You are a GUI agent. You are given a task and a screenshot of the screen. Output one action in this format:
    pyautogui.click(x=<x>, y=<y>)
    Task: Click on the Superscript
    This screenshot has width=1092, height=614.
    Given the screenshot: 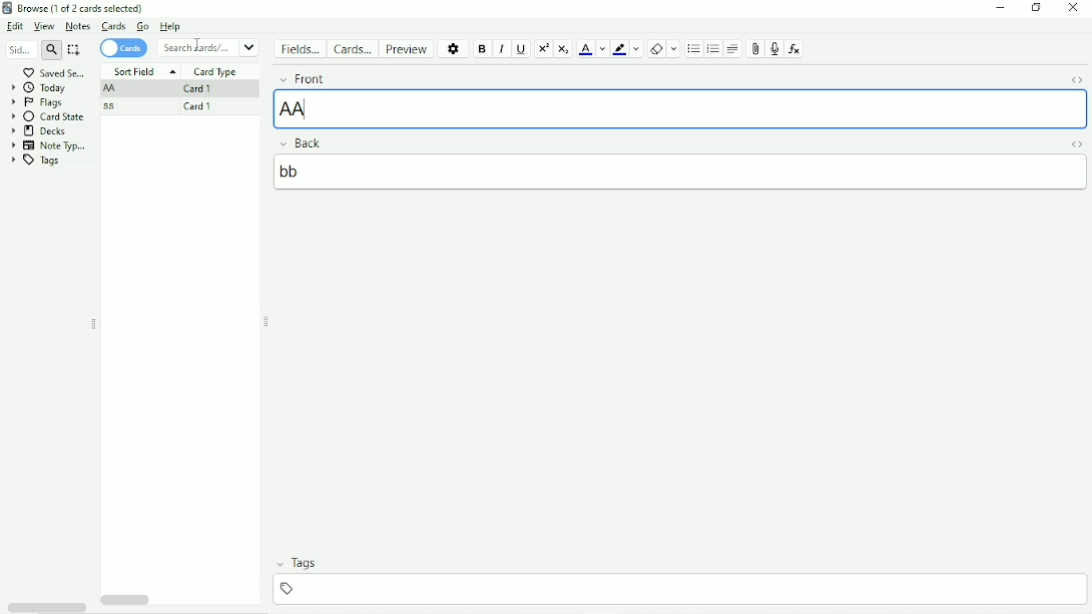 What is the action you would take?
    pyautogui.click(x=544, y=48)
    